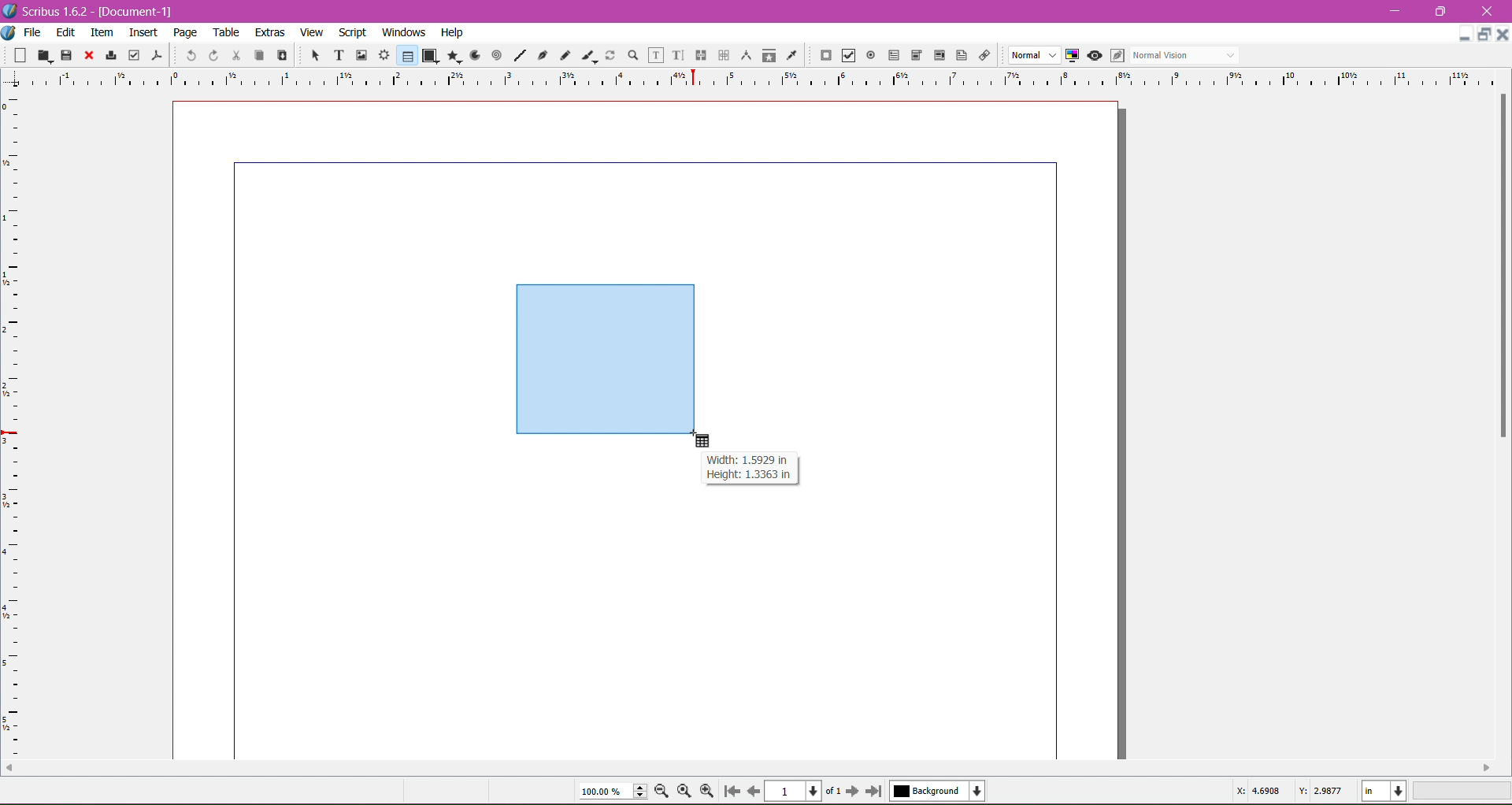 The height and width of the screenshot is (805, 1512). Describe the element at coordinates (613, 792) in the screenshot. I see `100.00 %` at that location.